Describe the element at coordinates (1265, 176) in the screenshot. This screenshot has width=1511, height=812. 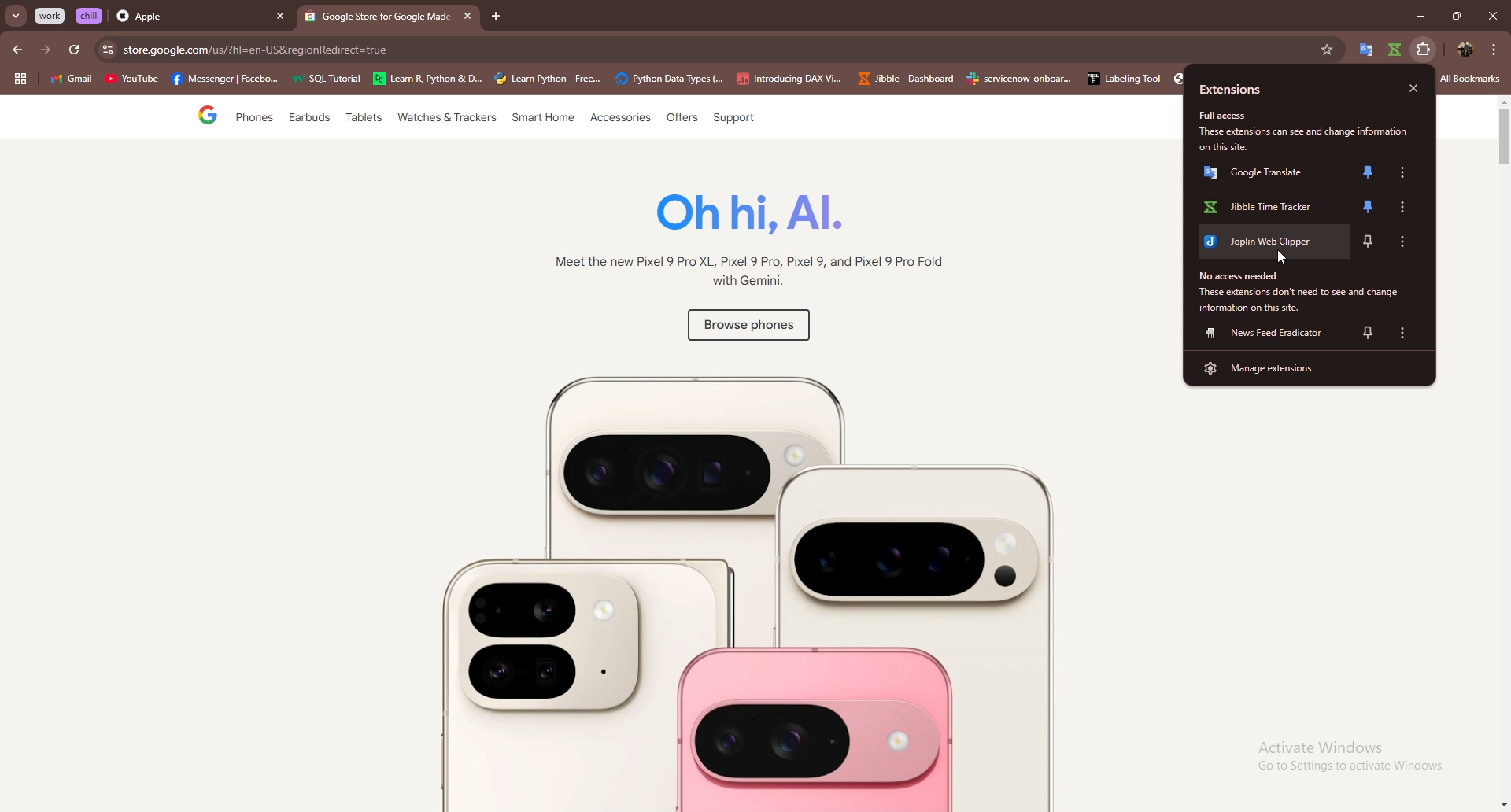
I see `Google Translate:` at that location.